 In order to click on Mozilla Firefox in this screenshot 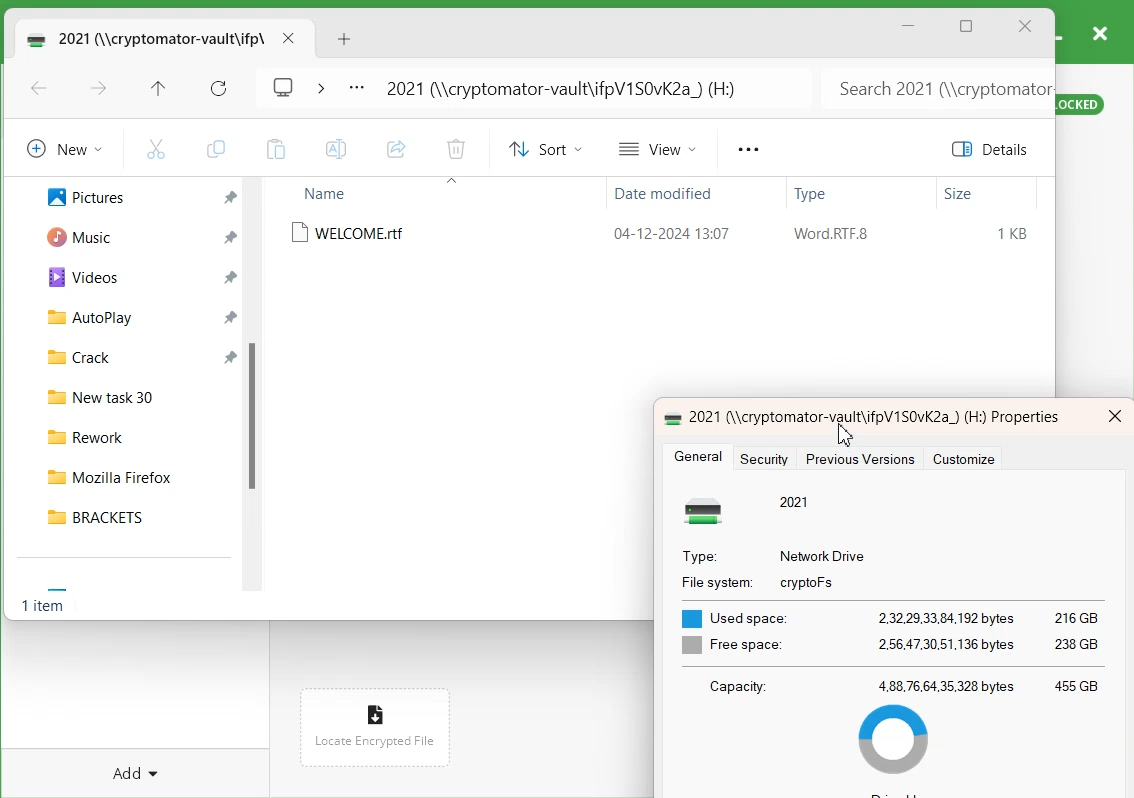, I will do `click(131, 473)`.